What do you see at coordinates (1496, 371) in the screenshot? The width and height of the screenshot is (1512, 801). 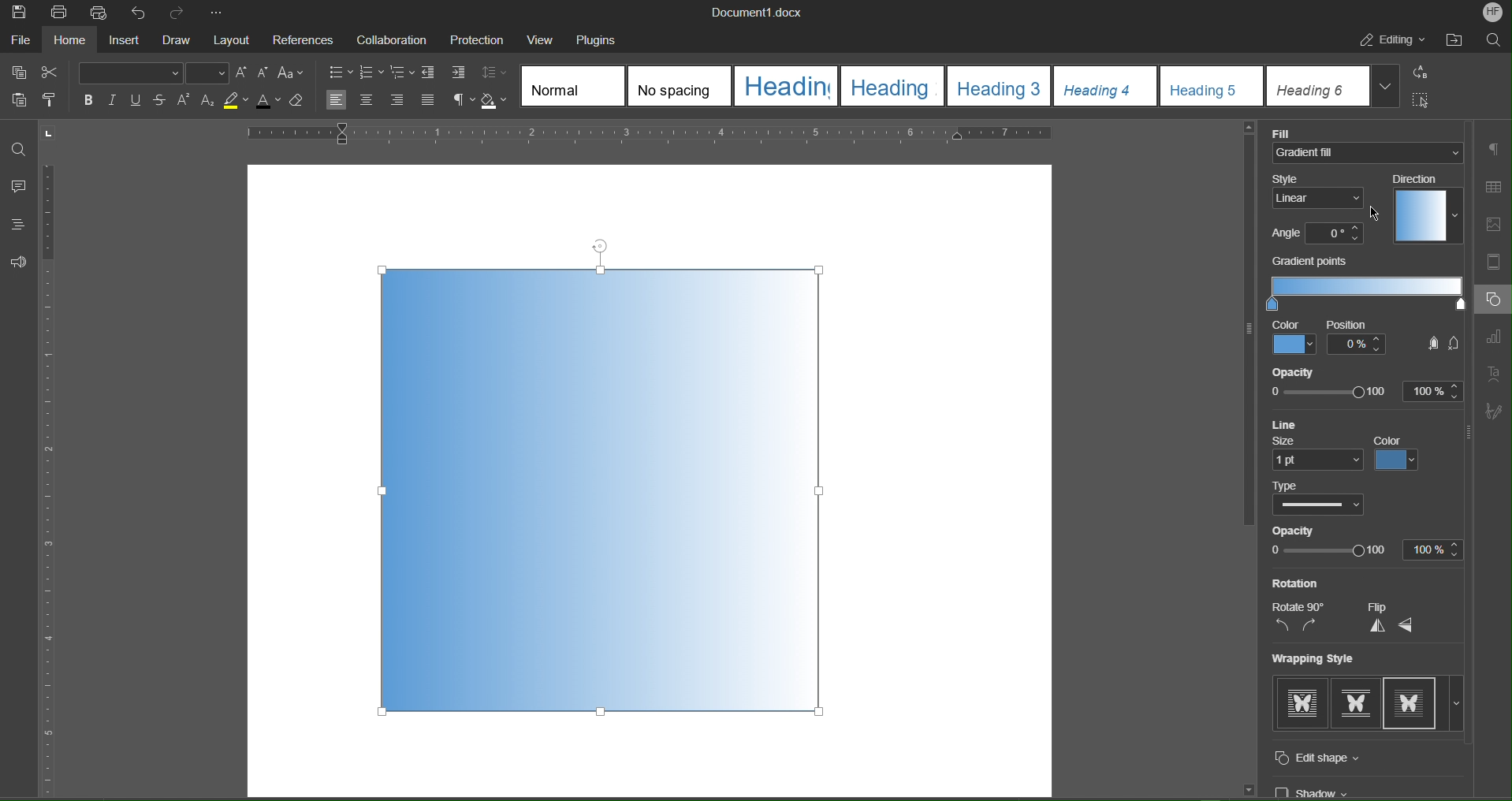 I see `Text Art` at bounding box center [1496, 371].